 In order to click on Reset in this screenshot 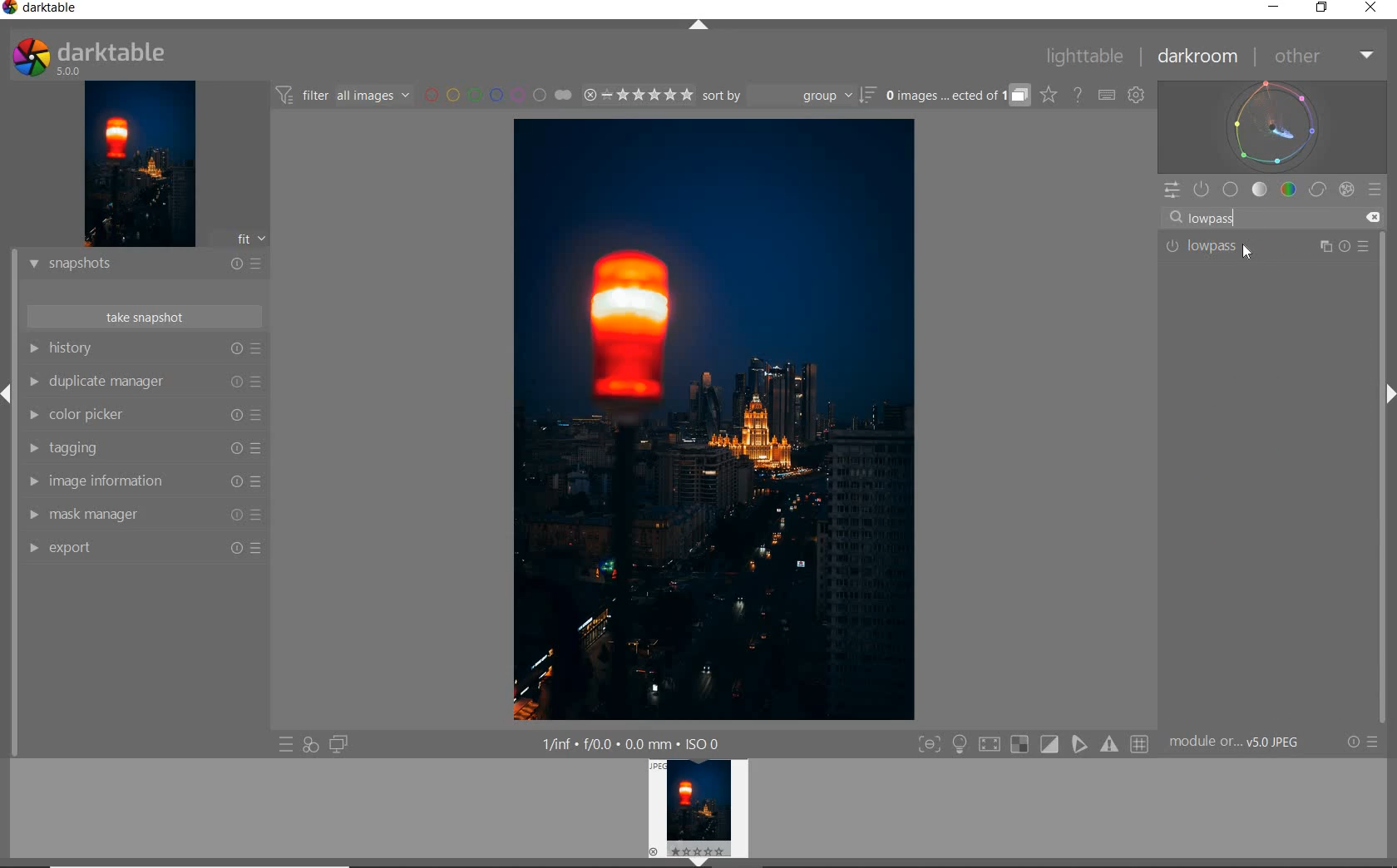, I will do `click(230, 383)`.